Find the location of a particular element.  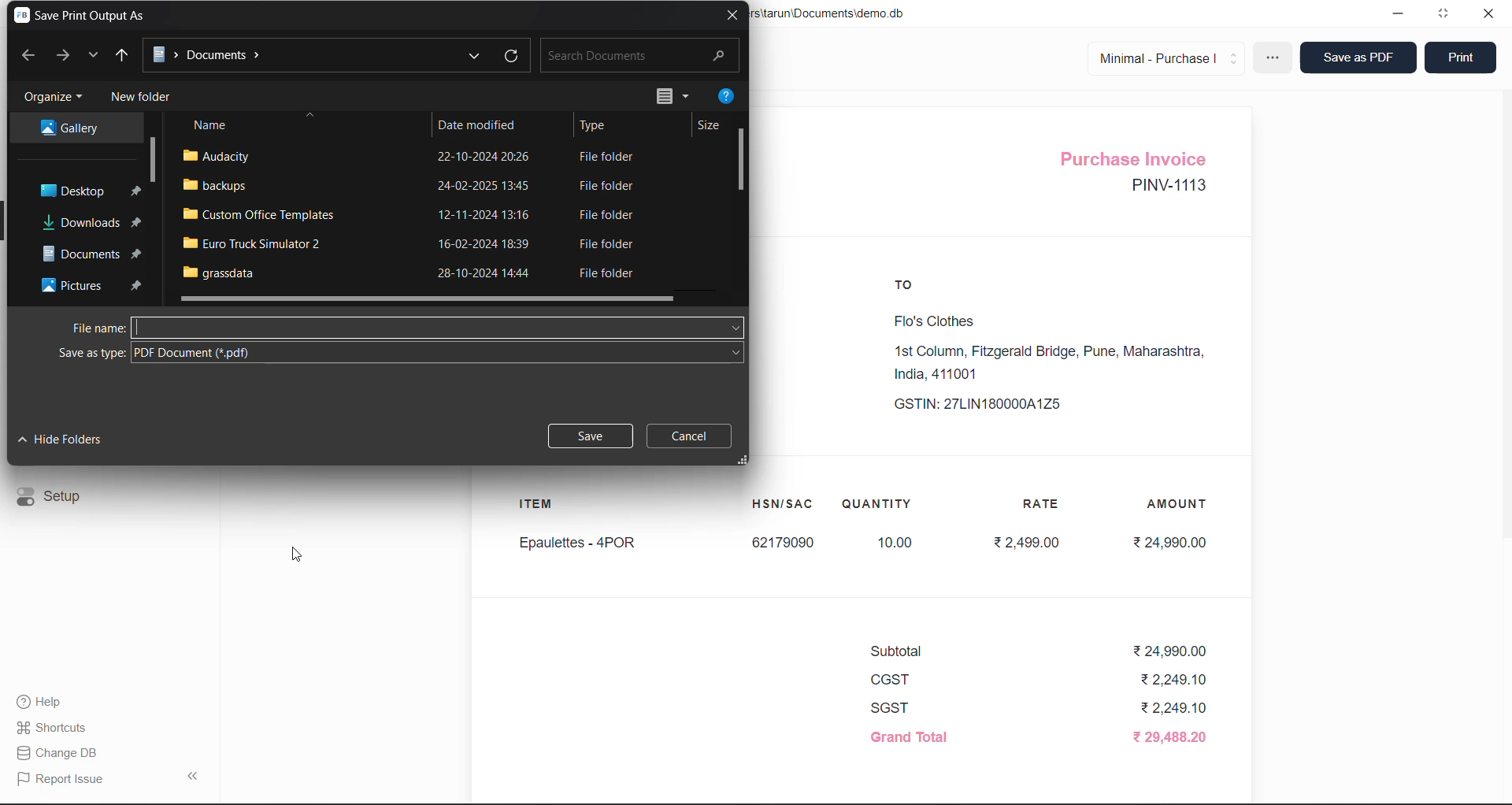

more options is located at coordinates (1276, 60).